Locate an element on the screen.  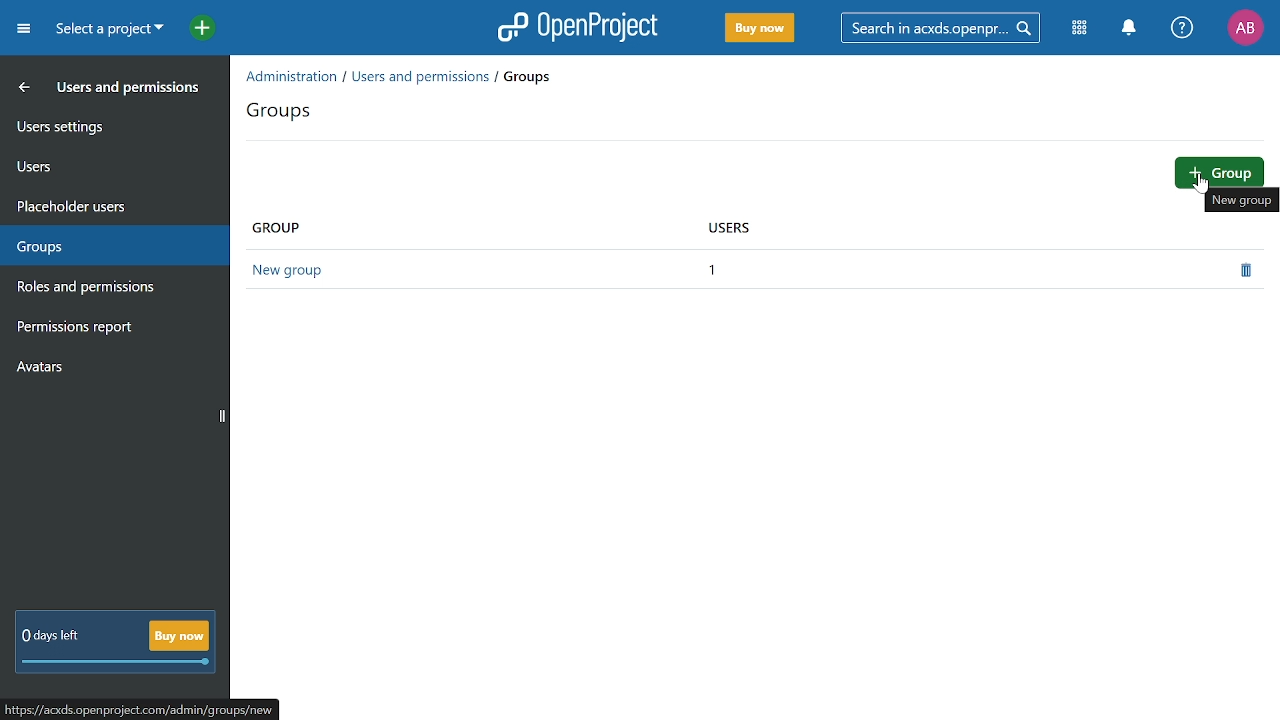
cursor is located at coordinates (1200, 186).